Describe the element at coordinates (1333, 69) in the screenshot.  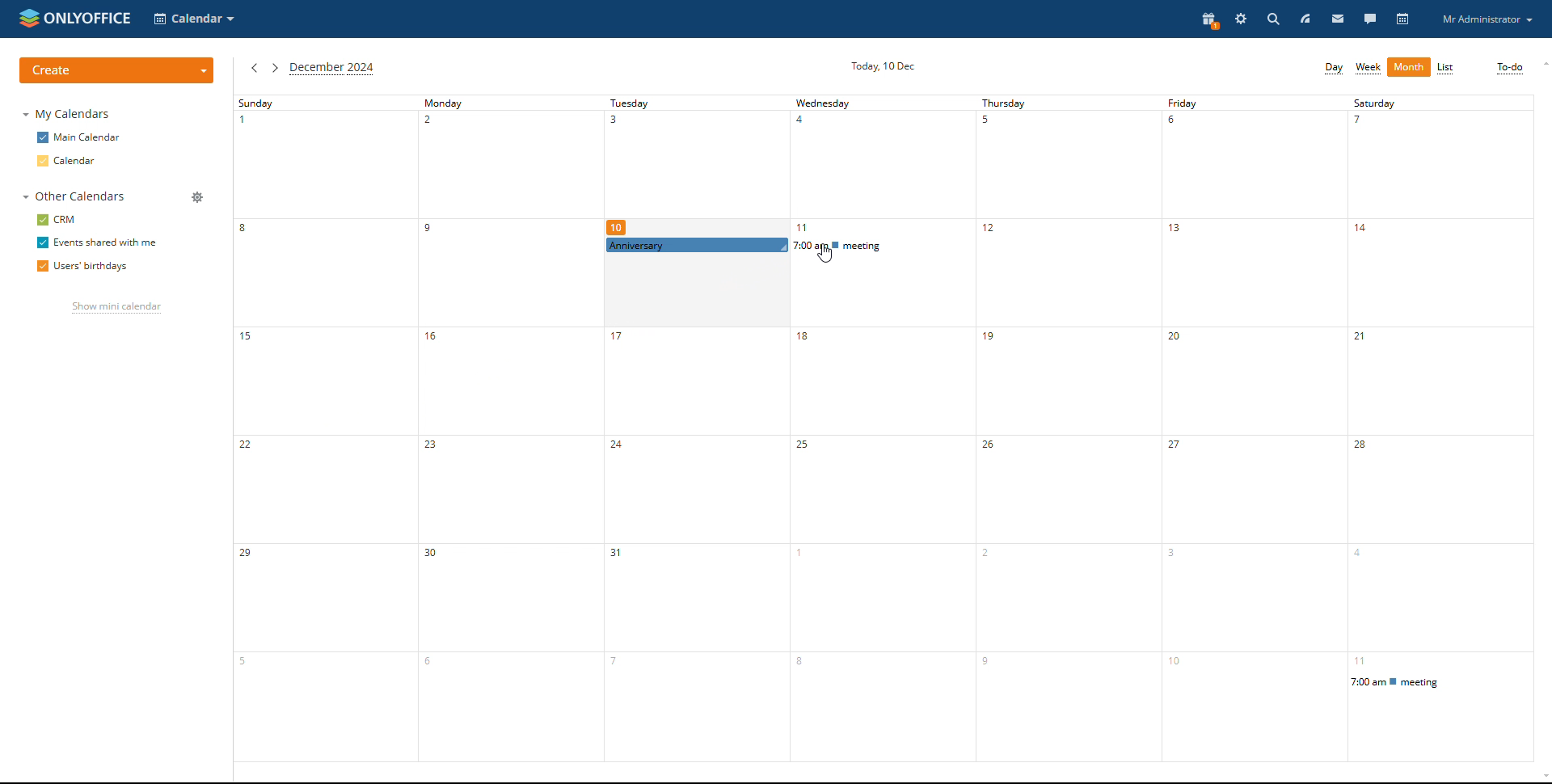
I see `day view` at that location.